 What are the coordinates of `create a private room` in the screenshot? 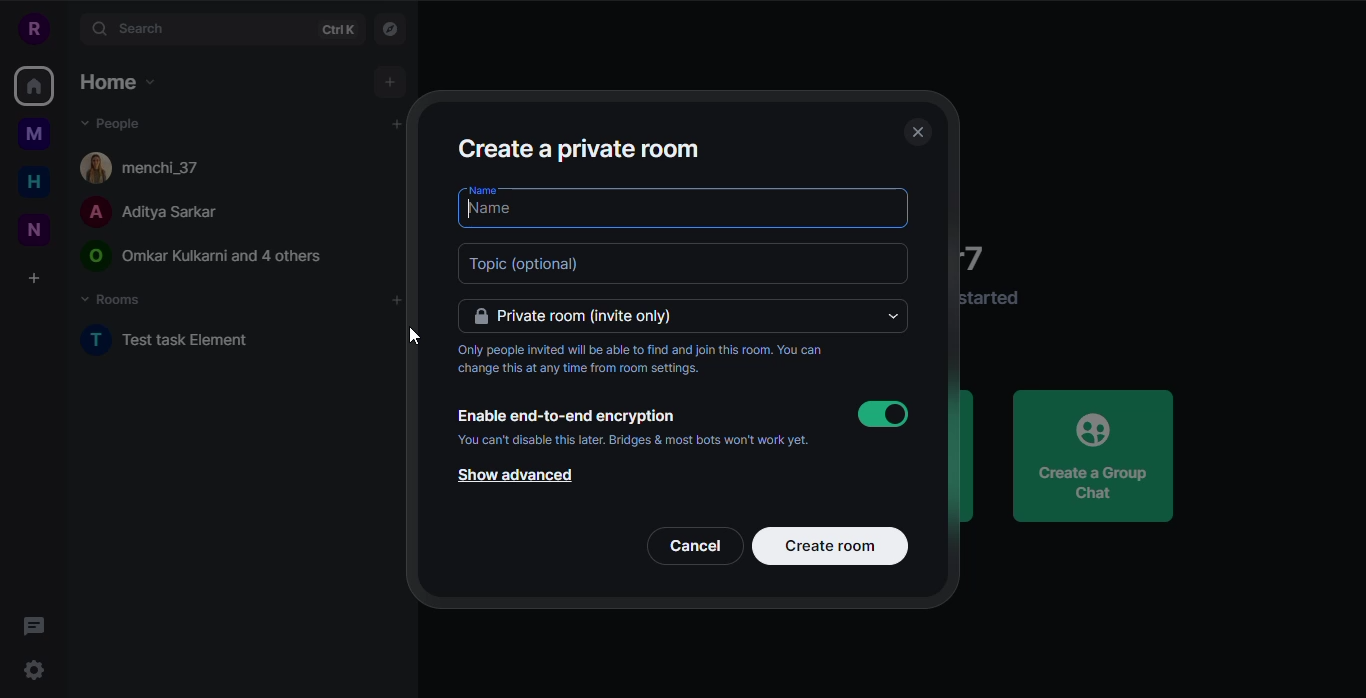 It's located at (578, 147).